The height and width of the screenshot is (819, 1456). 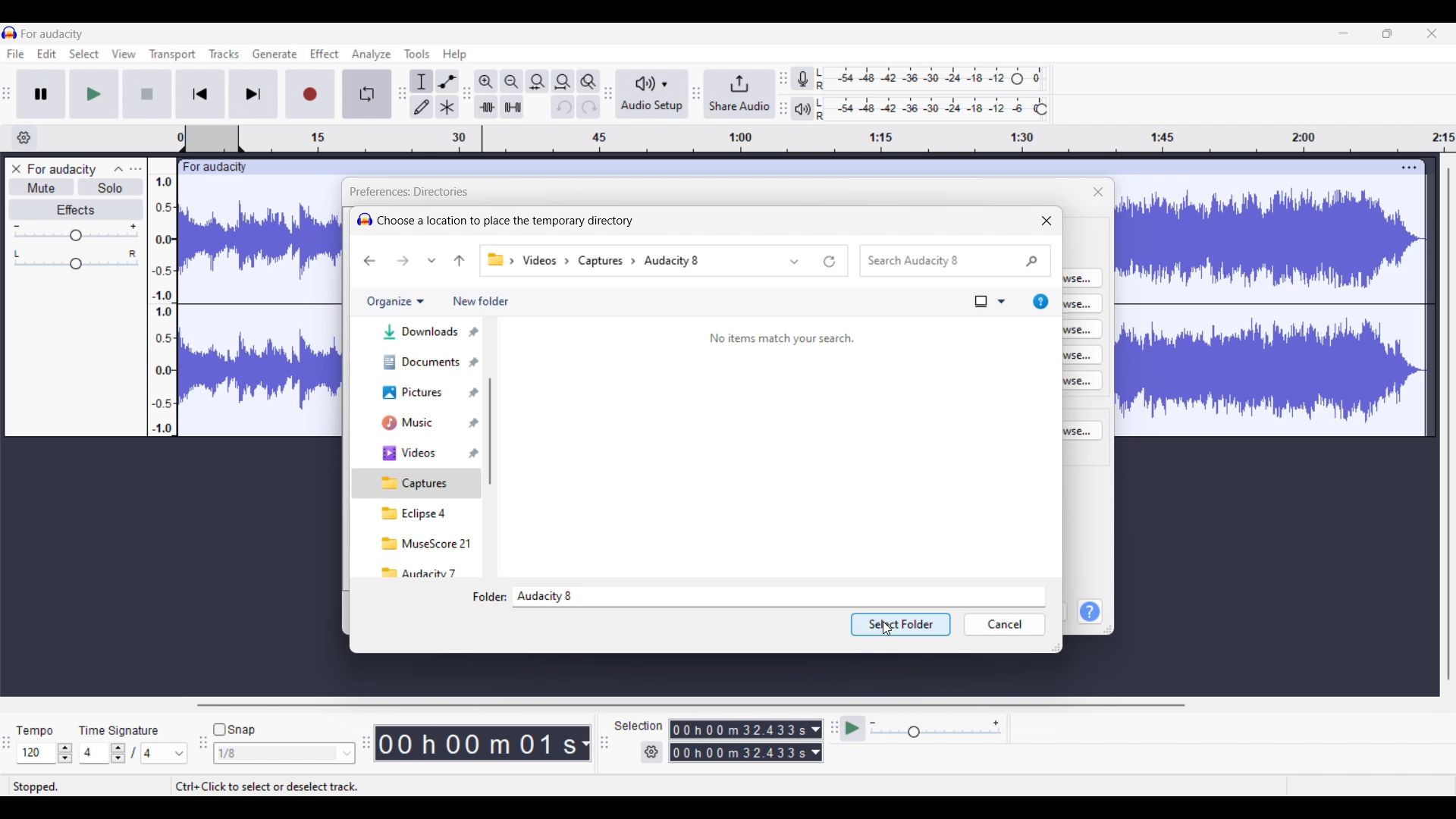 What do you see at coordinates (538, 81) in the screenshot?
I see `Fit selection to width` at bounding box center [538, 81].